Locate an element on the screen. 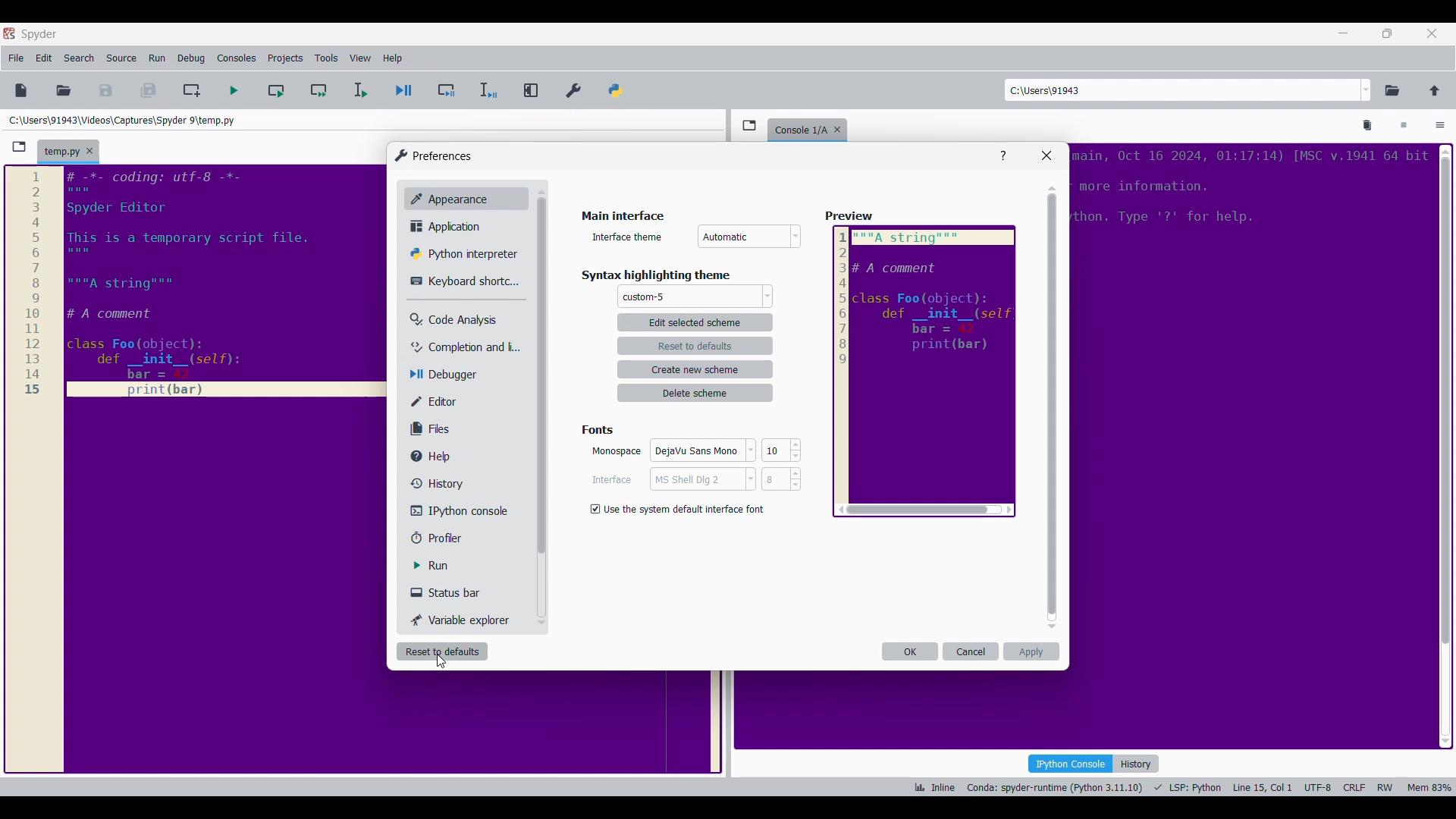 Image resolution: width=1456 pixels, height=819 pixels. View menu is located at coordinates (361, 58).